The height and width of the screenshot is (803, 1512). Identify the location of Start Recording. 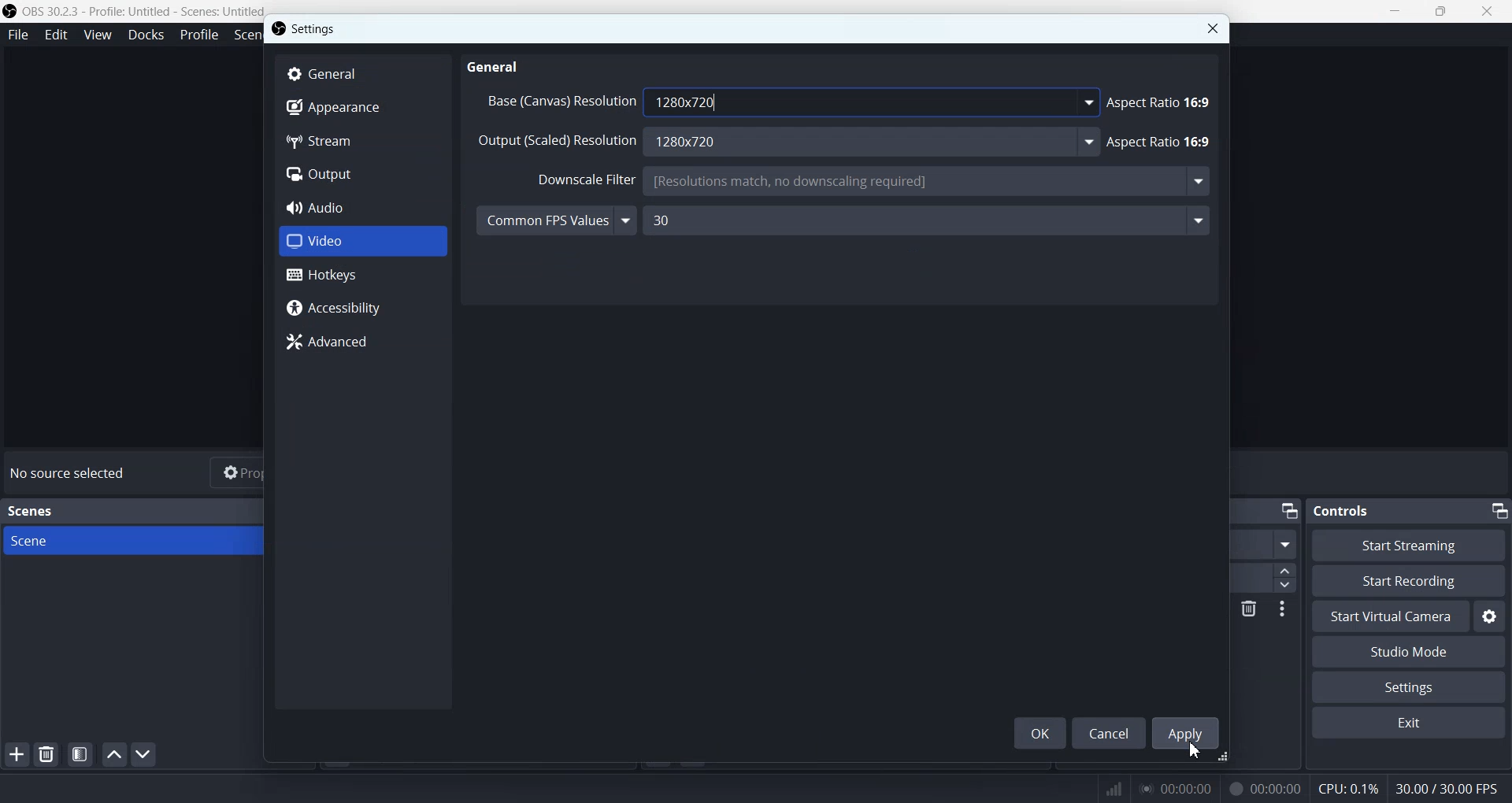
(1410, 581).